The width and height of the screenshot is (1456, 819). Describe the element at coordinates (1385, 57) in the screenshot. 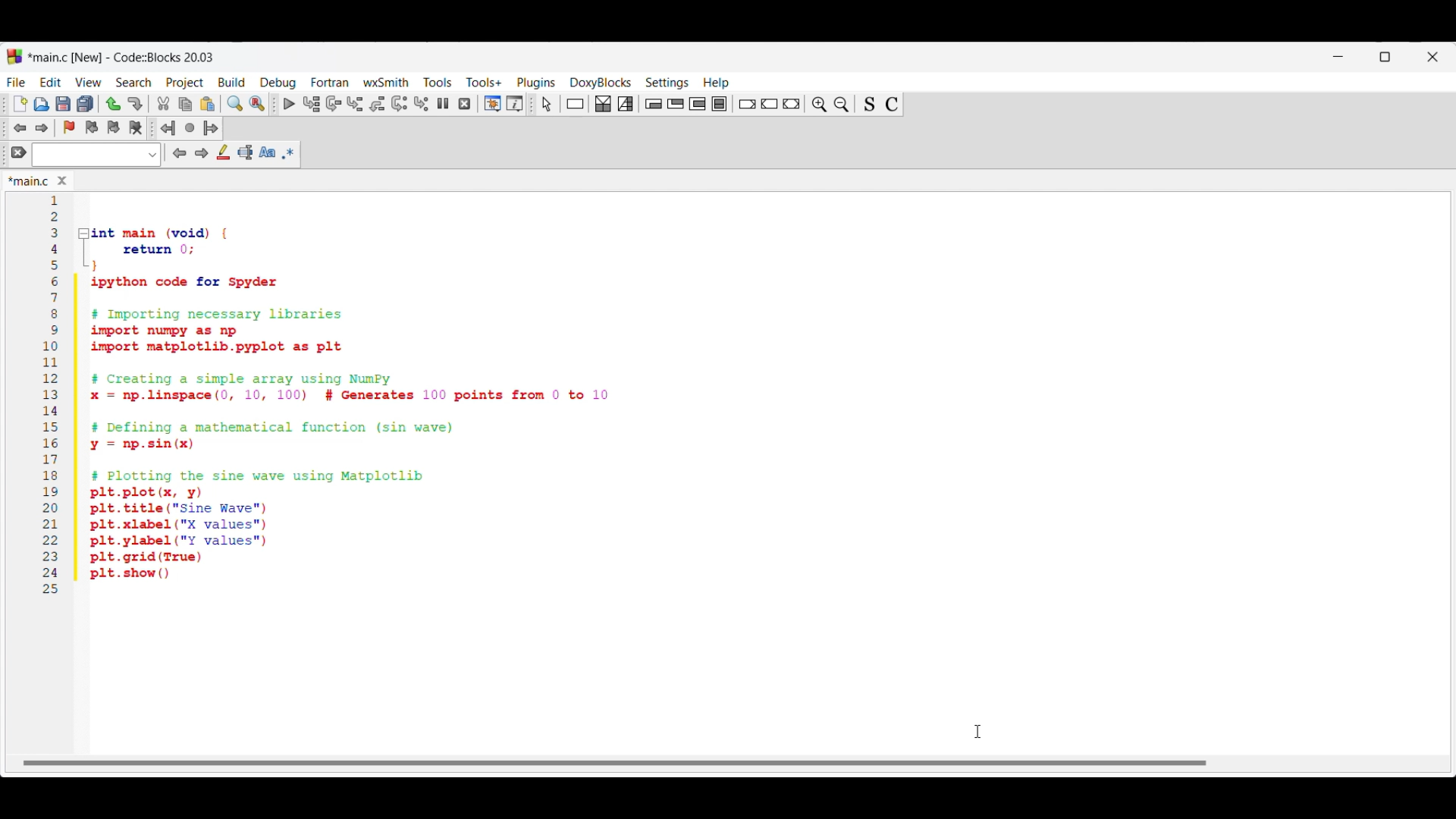

I see `Change tab dimension` at that location.